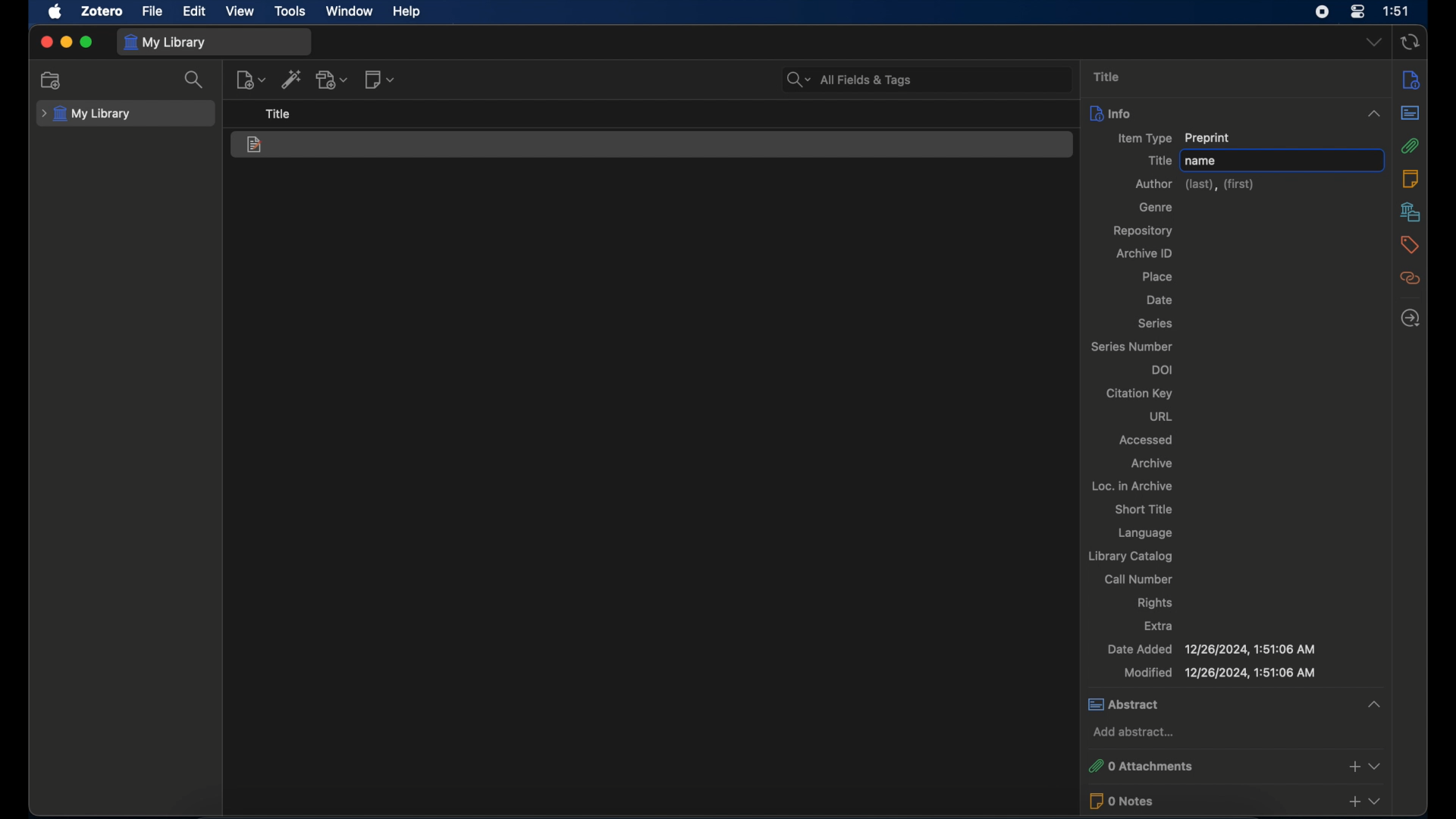  What do you see at coordinates (255, 146) in the screenshot?
I see `preprint` at bounding box center [255, 146].